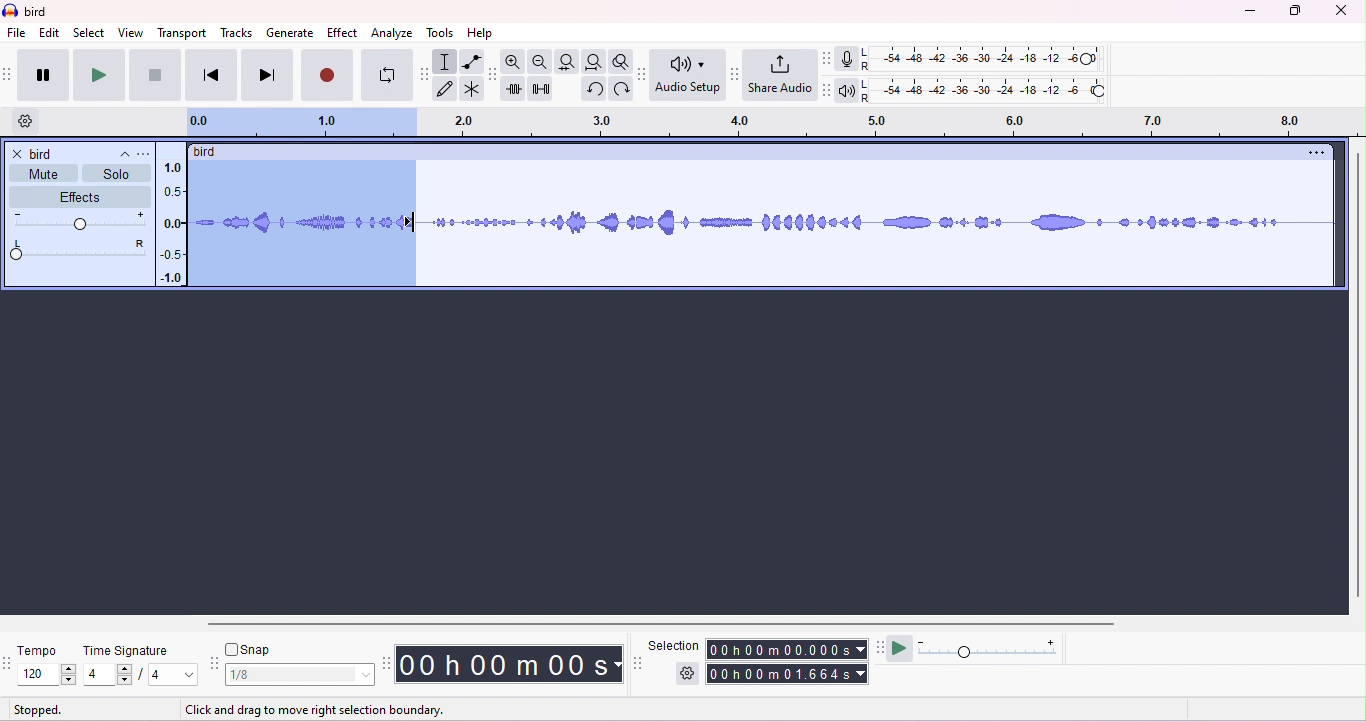  Describe the element at coordinates (48, 676) in the screenshot. I see `select tempo` at that location.